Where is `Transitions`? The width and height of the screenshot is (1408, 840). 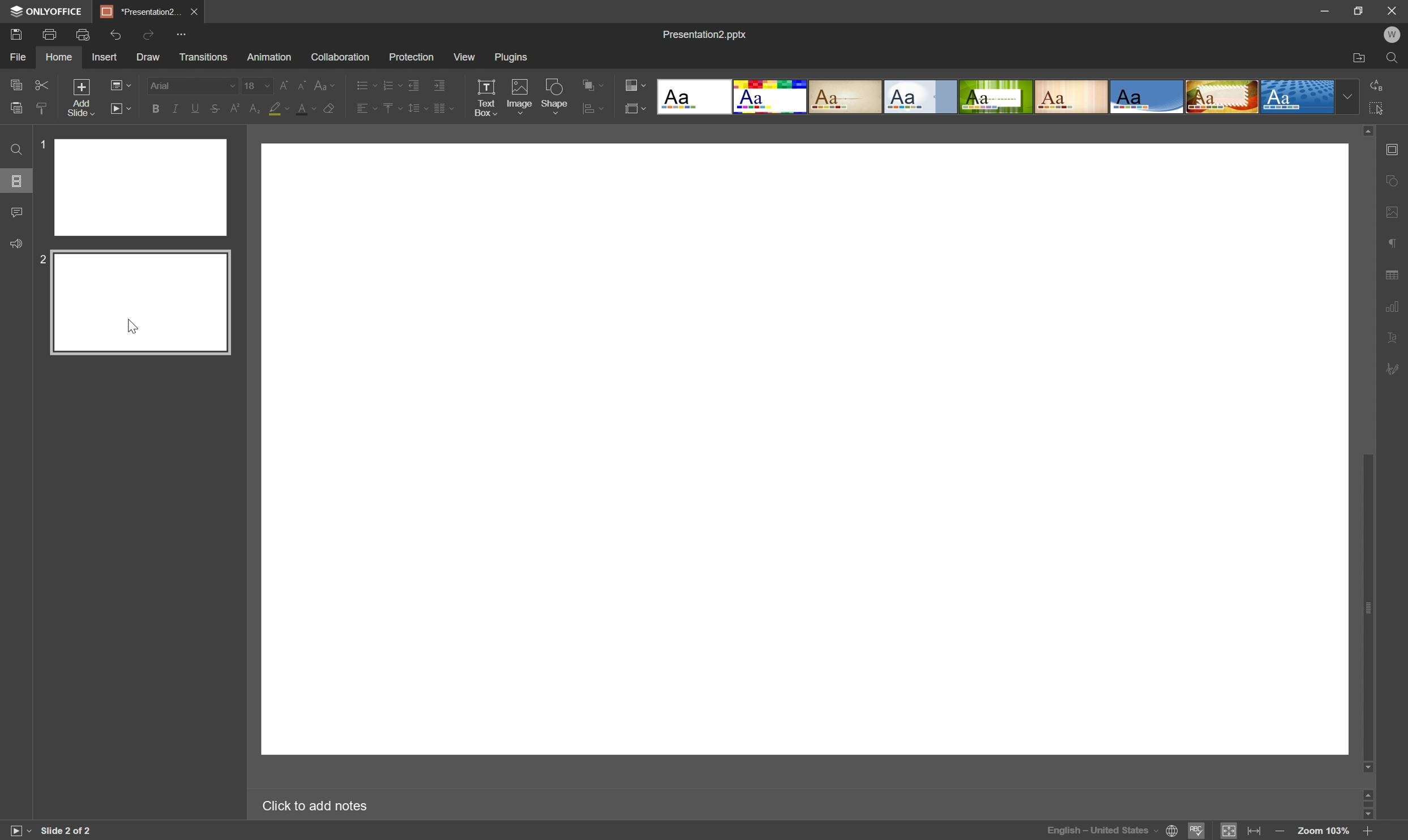 Transitions is located at coordinates (203, 58).